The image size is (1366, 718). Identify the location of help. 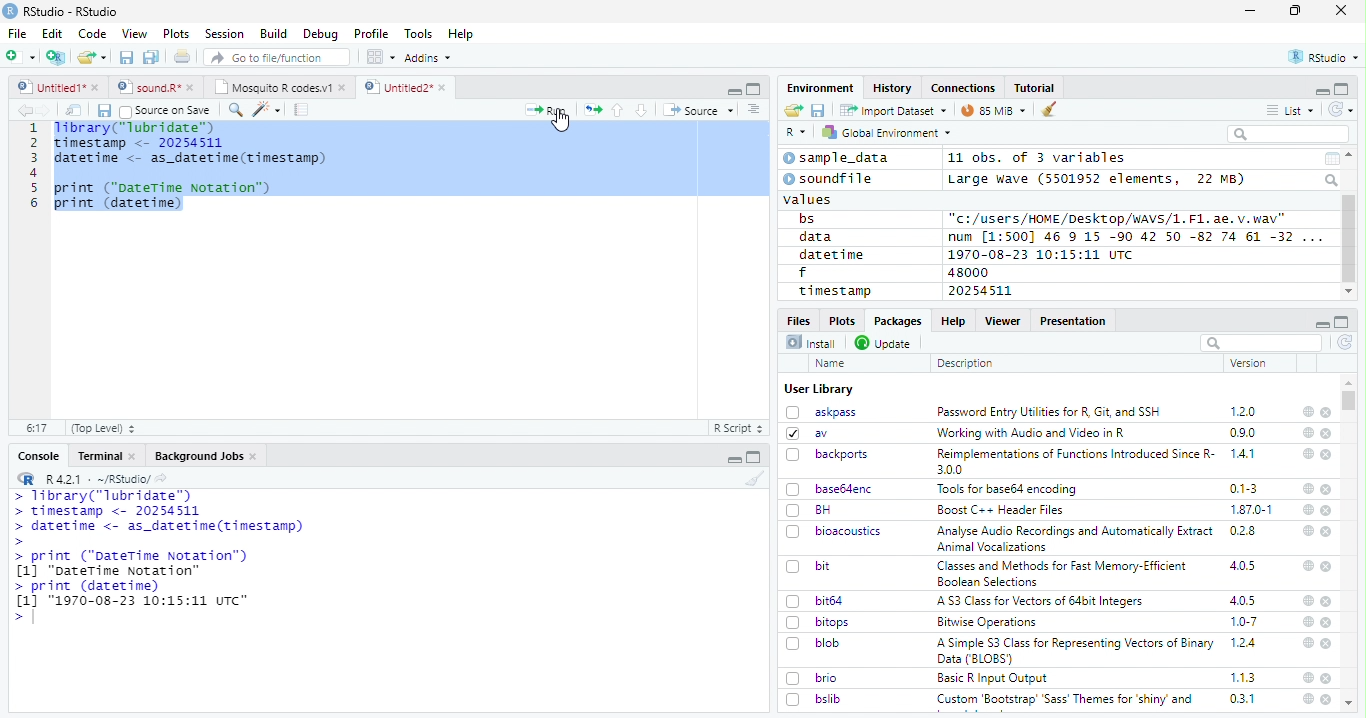
(1308, 677).